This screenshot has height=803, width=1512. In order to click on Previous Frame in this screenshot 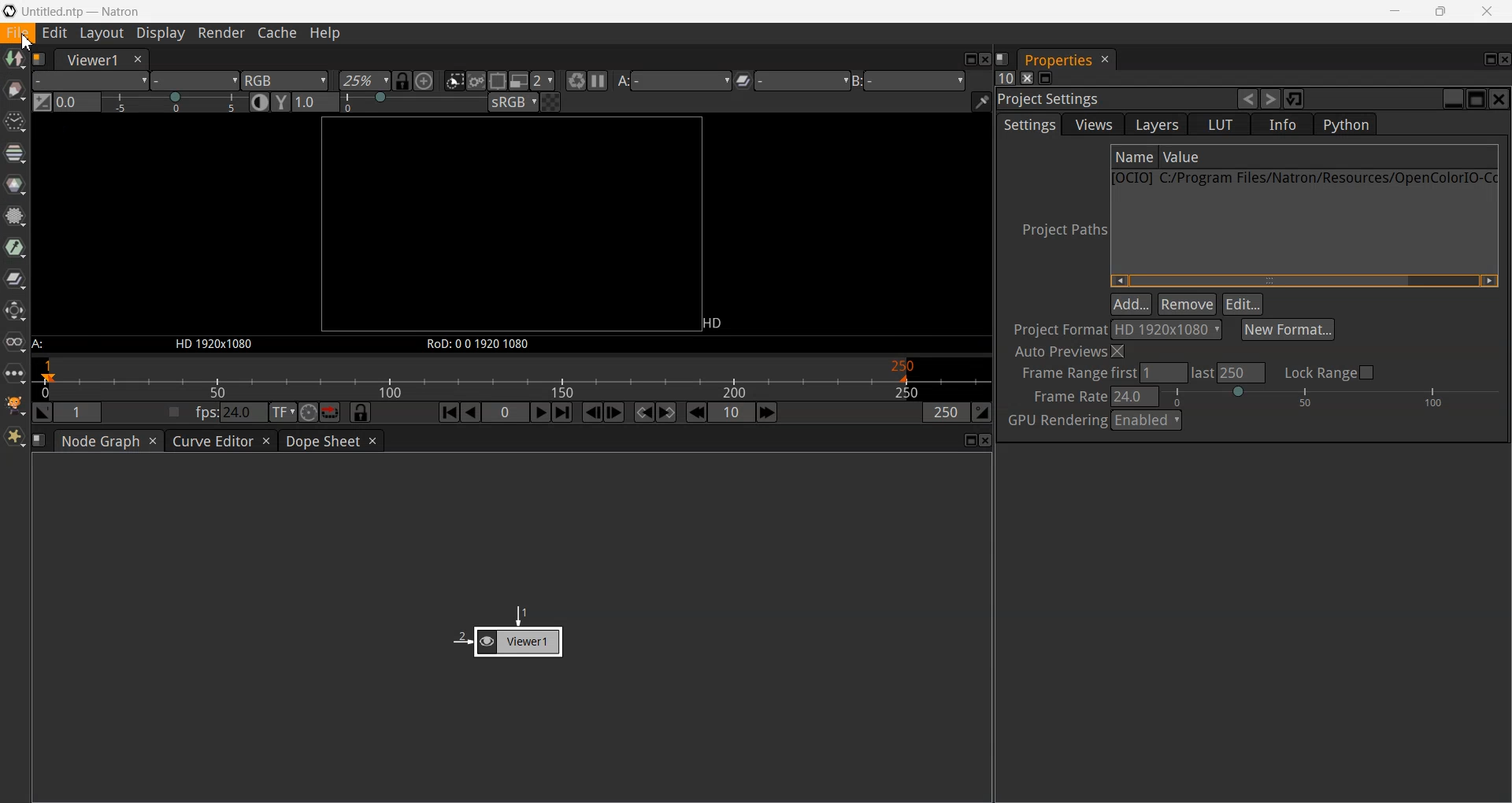, I will do `click(593, 413)`.